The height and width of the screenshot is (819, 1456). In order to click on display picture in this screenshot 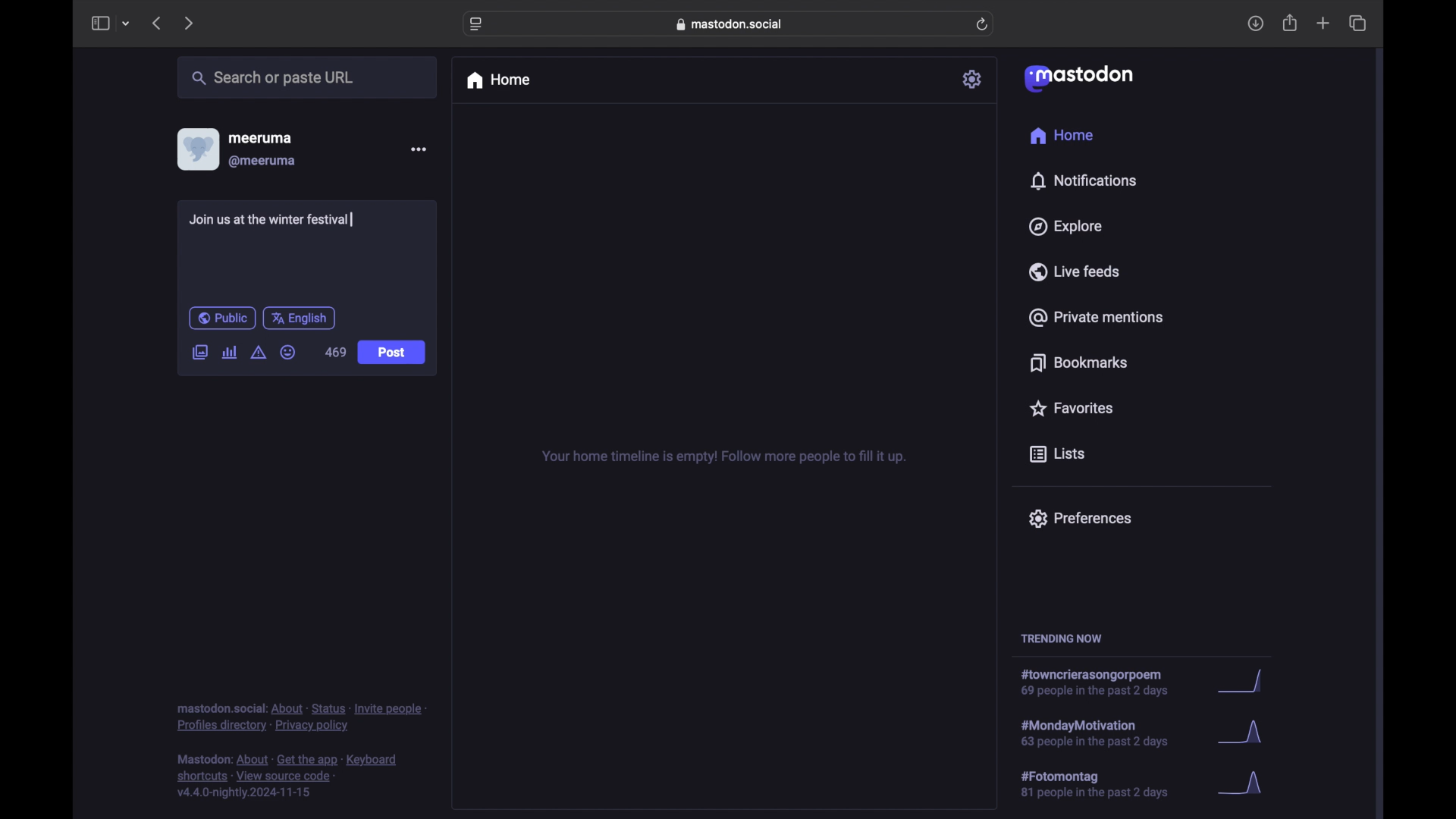, I will do `click(196, 149)`.